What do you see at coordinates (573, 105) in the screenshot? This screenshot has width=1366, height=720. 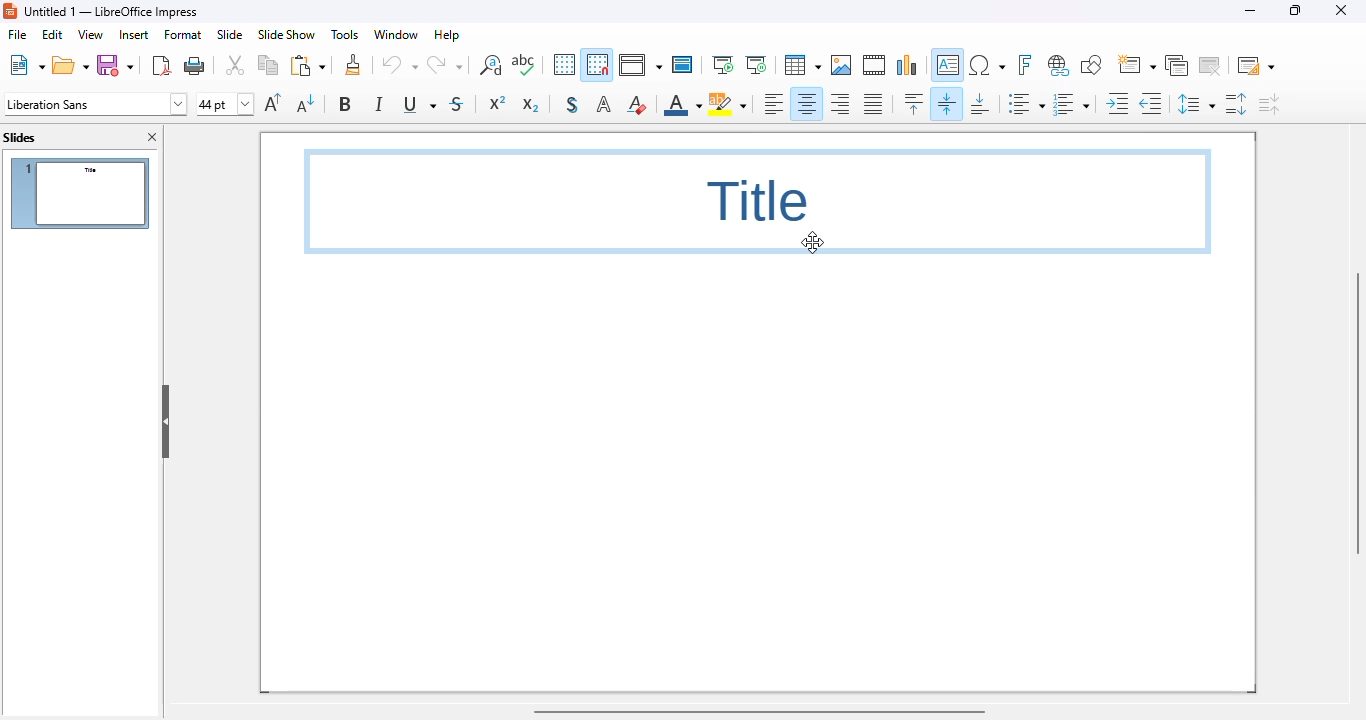 I see `toggle shadow` at bounding box center [573, 105].